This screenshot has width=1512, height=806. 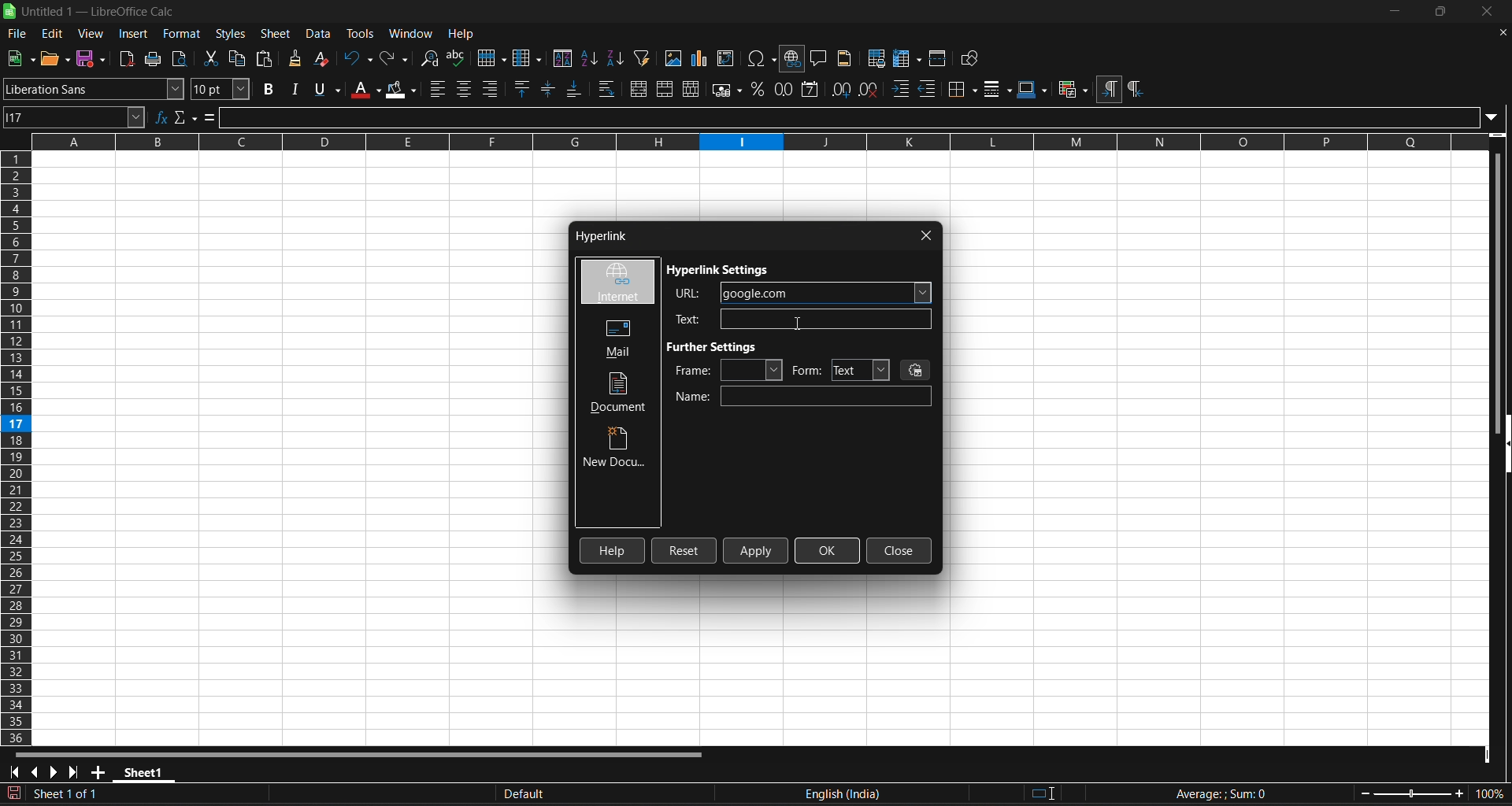 I want to click on redo, so click(x=396, y=58).